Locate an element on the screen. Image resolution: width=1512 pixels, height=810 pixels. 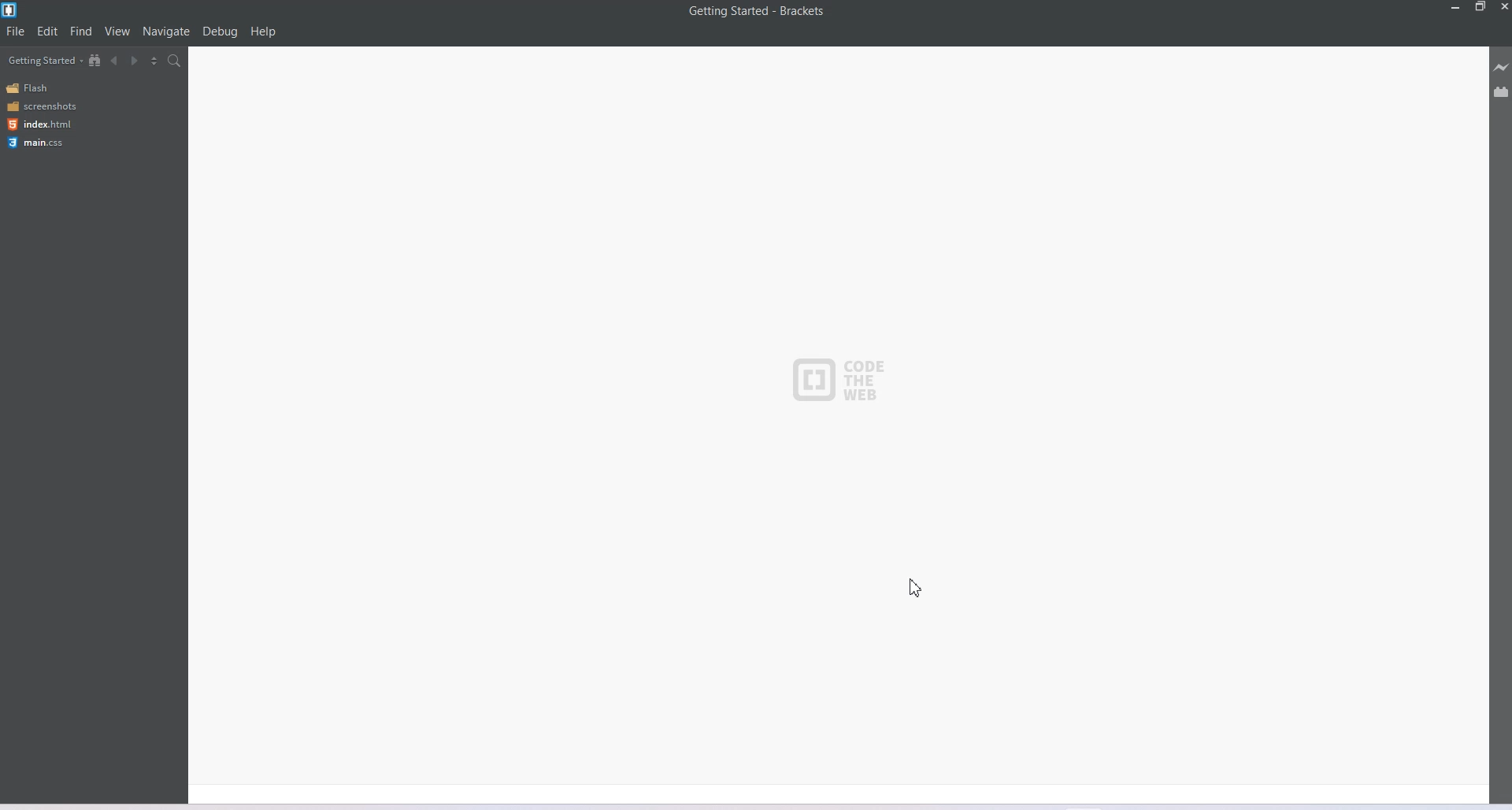
Find is located at coordinates (82, 30).